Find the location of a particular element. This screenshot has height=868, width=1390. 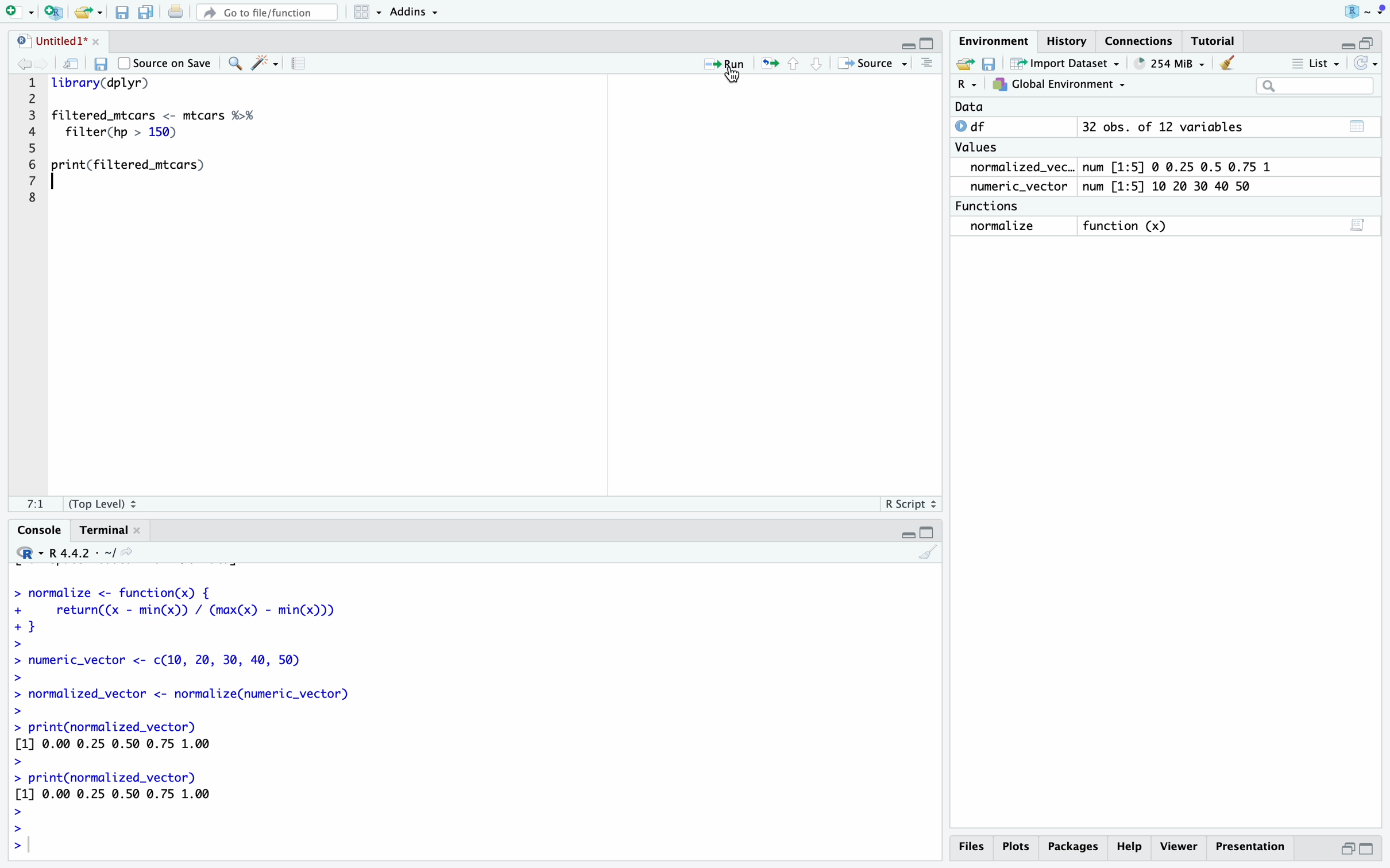

minimize is located at coordinates (908, 47).